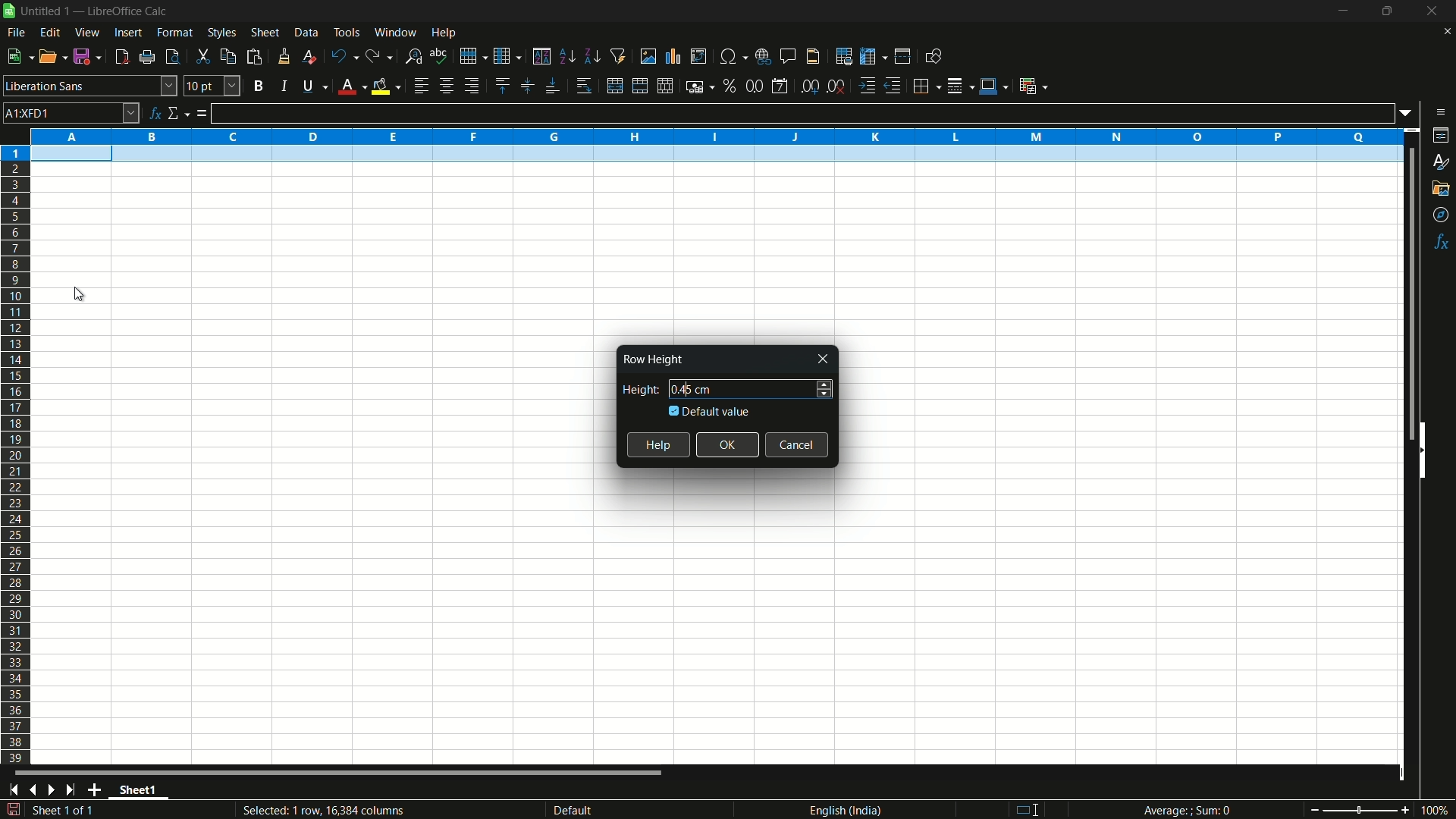  Describe the element at coordinates (526, 86) in the screenshot. I see `center vertically` at that location.